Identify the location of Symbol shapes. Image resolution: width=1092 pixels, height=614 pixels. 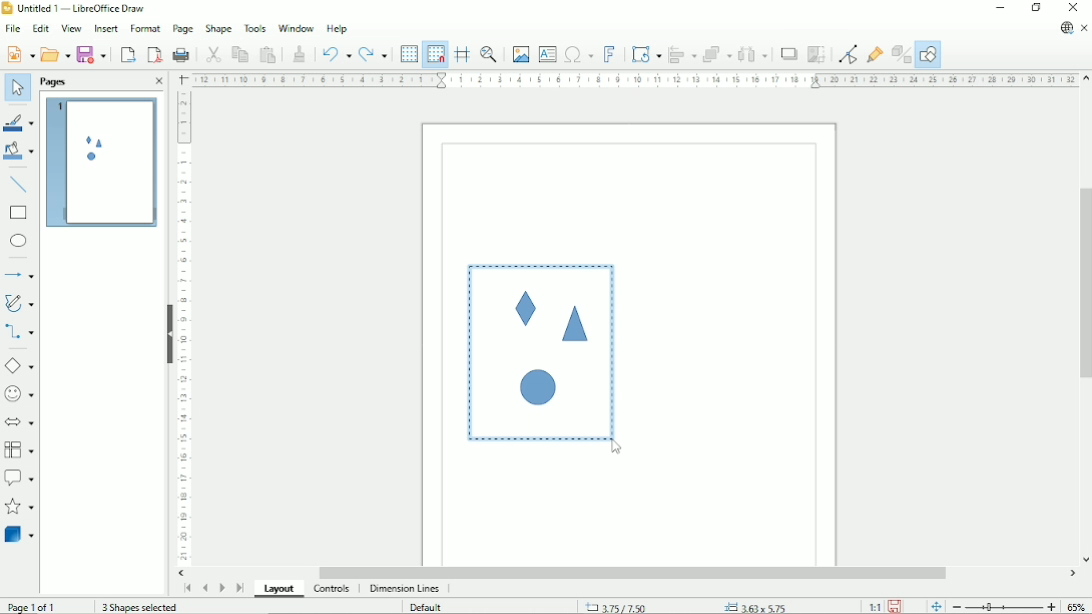
(20, 393).